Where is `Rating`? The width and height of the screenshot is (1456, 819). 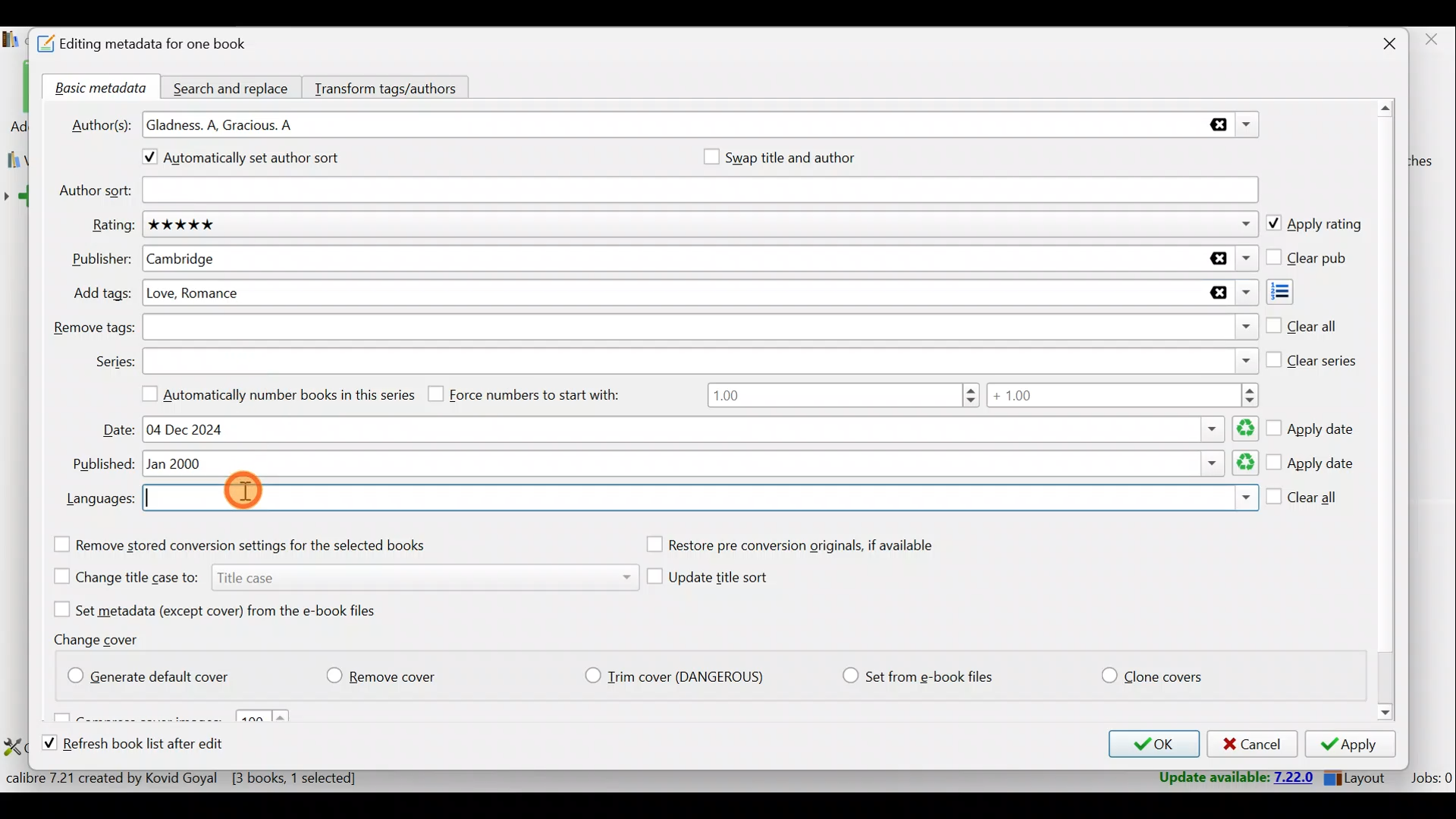
Rating is located at coordinates (703, 227).